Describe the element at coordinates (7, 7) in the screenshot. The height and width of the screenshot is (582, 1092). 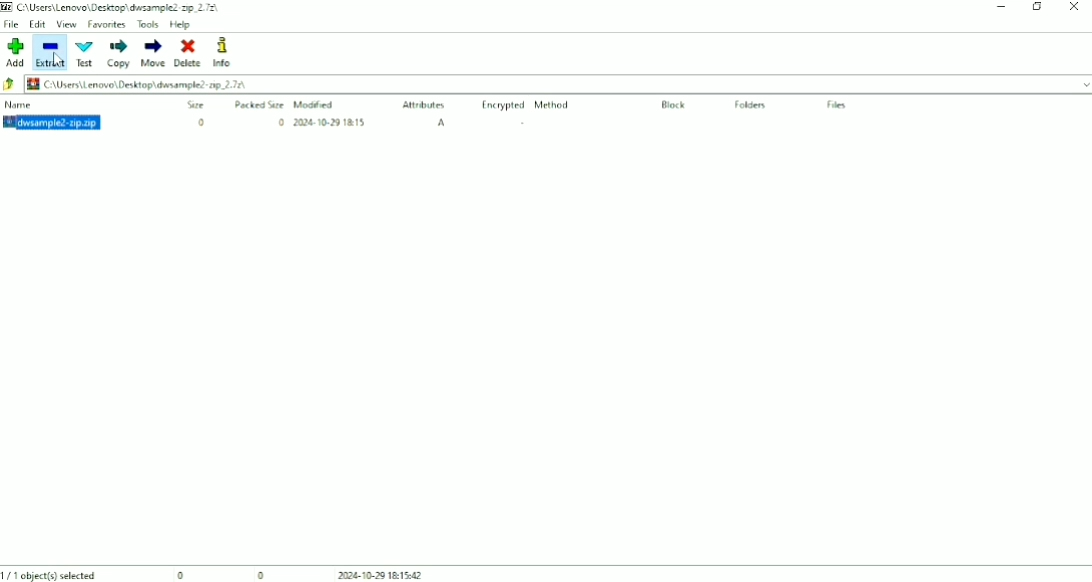
I see `Logo` at that location.